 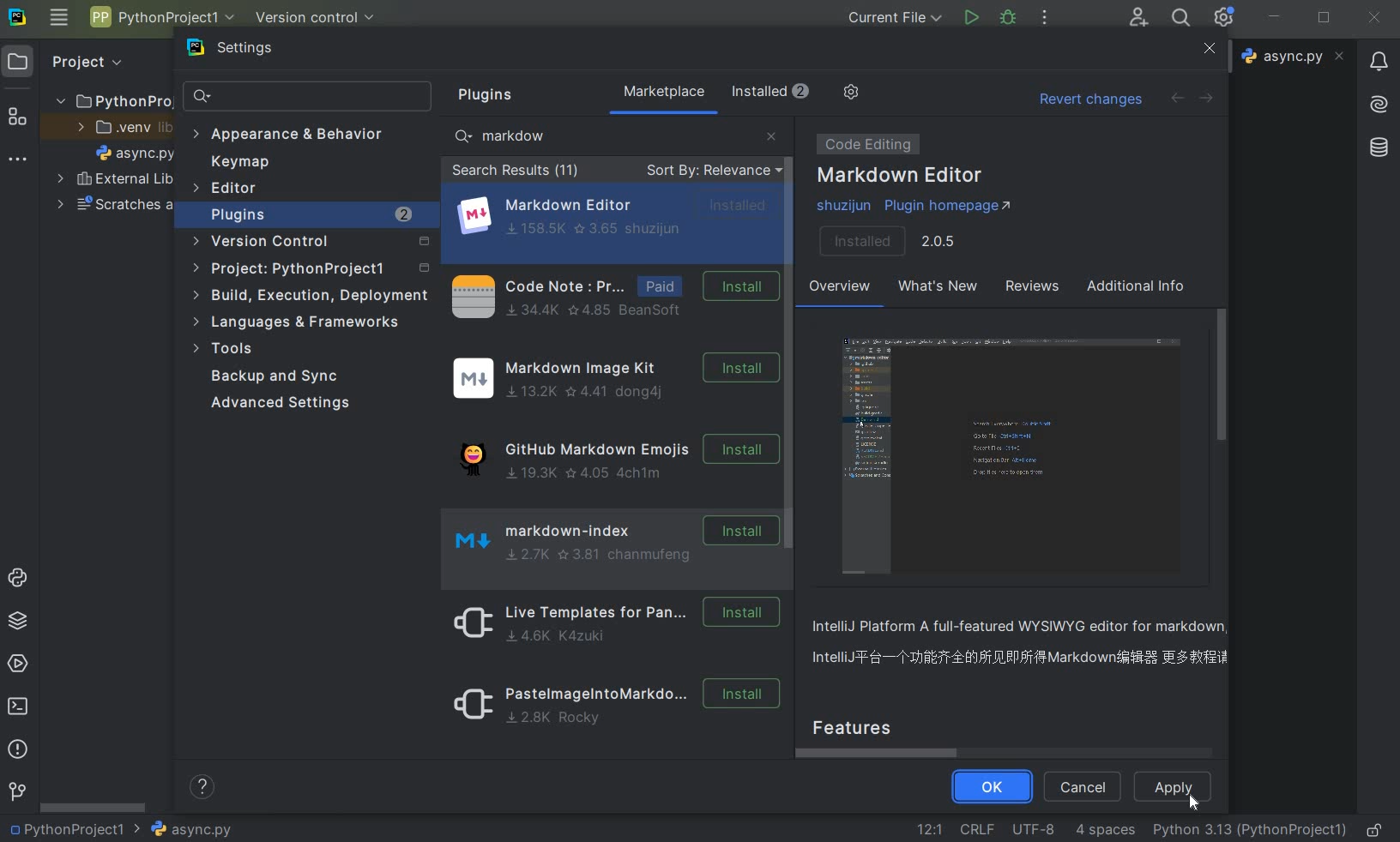 I want to click on markdown editor, so click(x=617, y=215).